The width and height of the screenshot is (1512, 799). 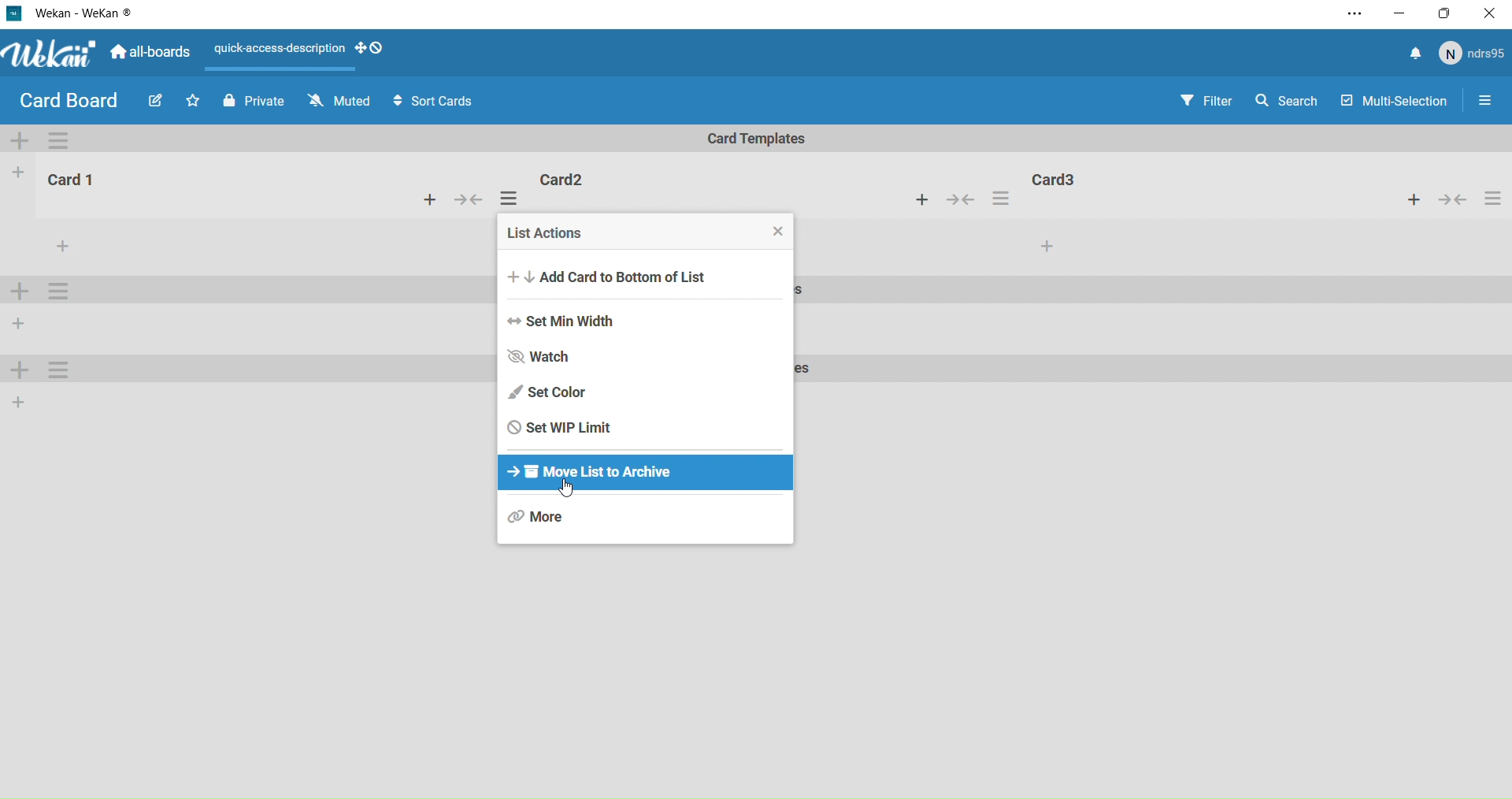 What do you see at coordinates (55, 289) in the screenshot?
I see `settings` at bounding box center [55, 289].